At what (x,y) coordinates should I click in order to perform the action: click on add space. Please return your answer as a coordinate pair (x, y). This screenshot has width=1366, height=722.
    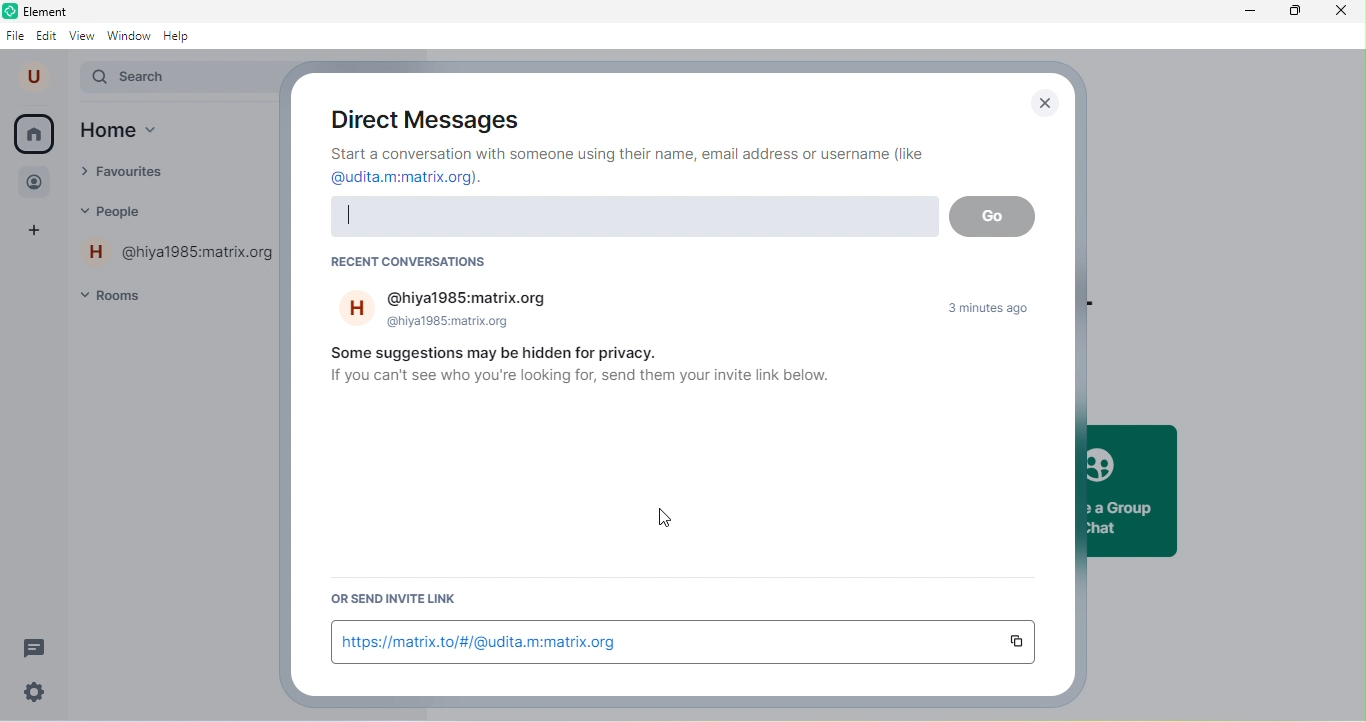
    Looking at the image, I should click on (38, 233).